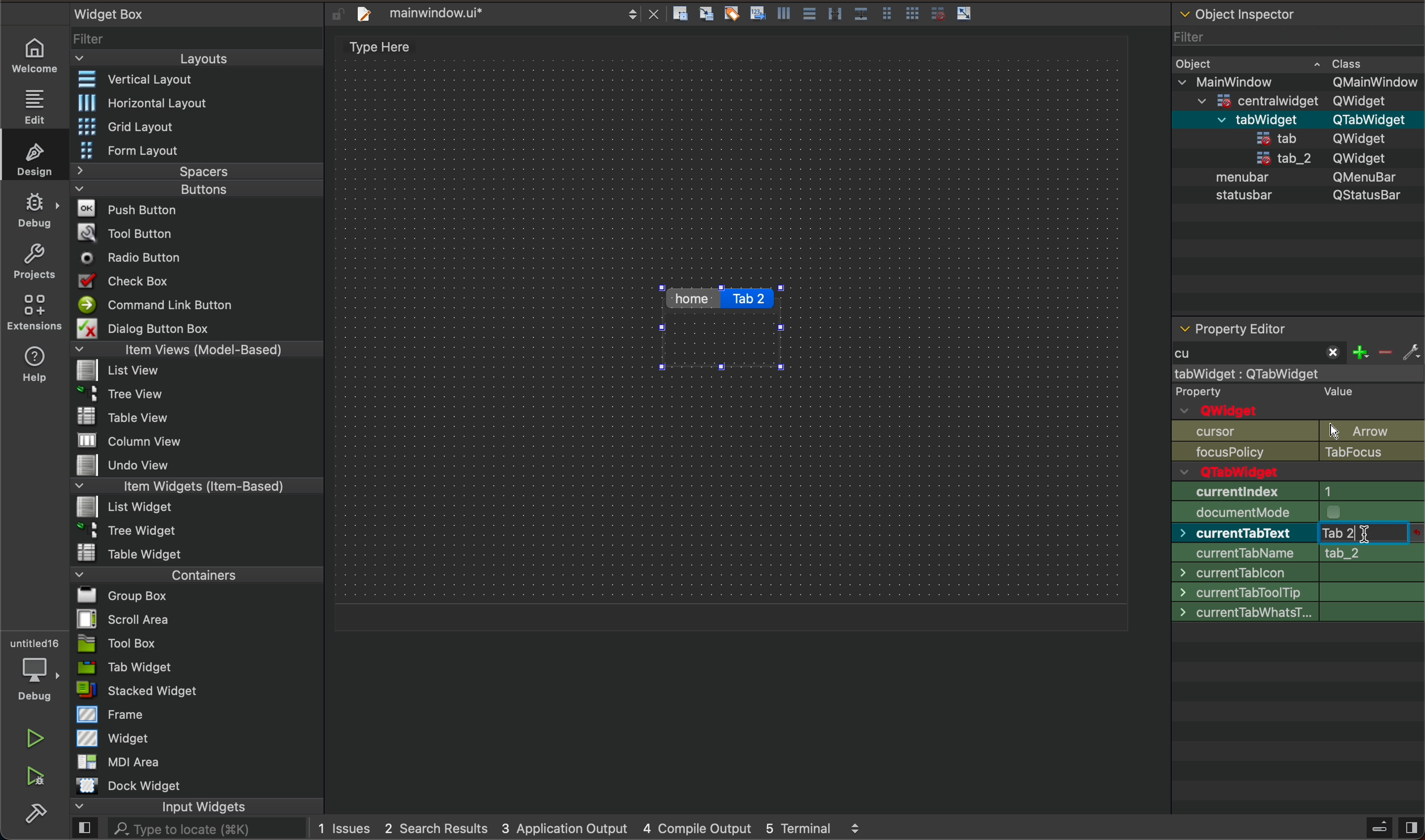 Image resolution: width=1425 pixels, height=840 pixels. I want to click on AL. Type to locate (38K), so click(195, 830).